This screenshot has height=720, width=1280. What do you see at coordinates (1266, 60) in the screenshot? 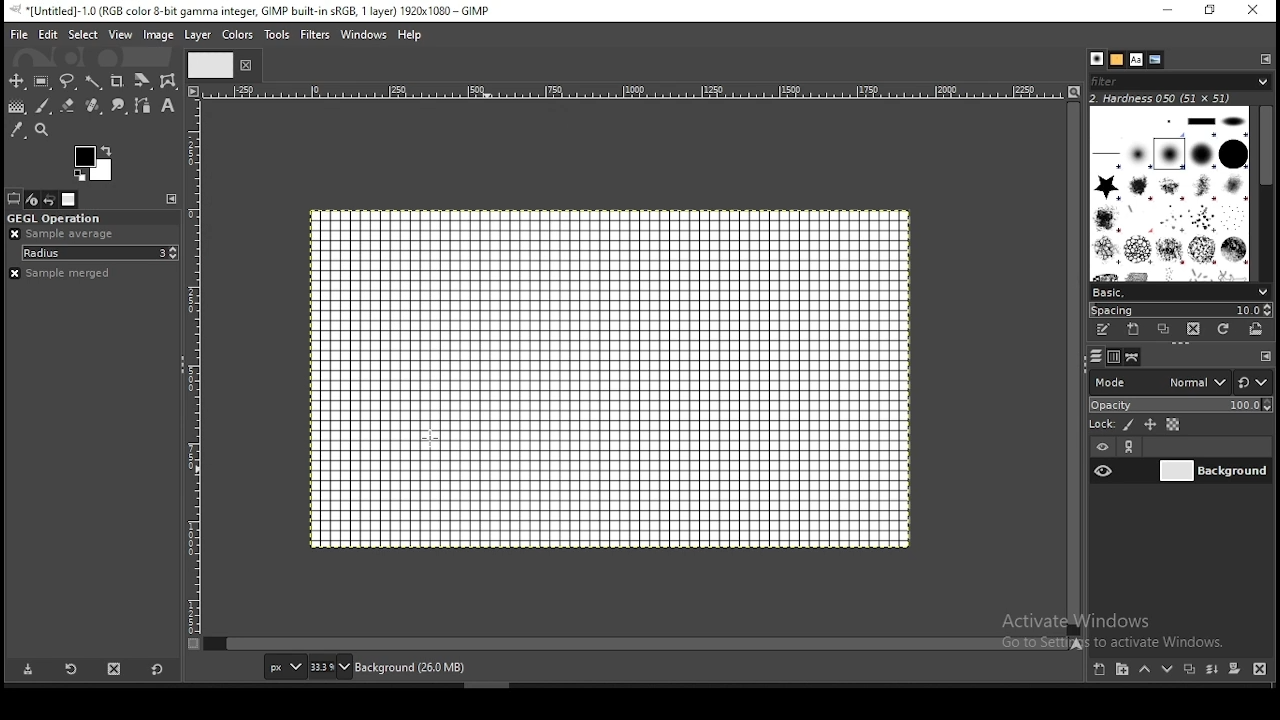
I see `cinfigure this tab` at bounding box center [1266, 60].